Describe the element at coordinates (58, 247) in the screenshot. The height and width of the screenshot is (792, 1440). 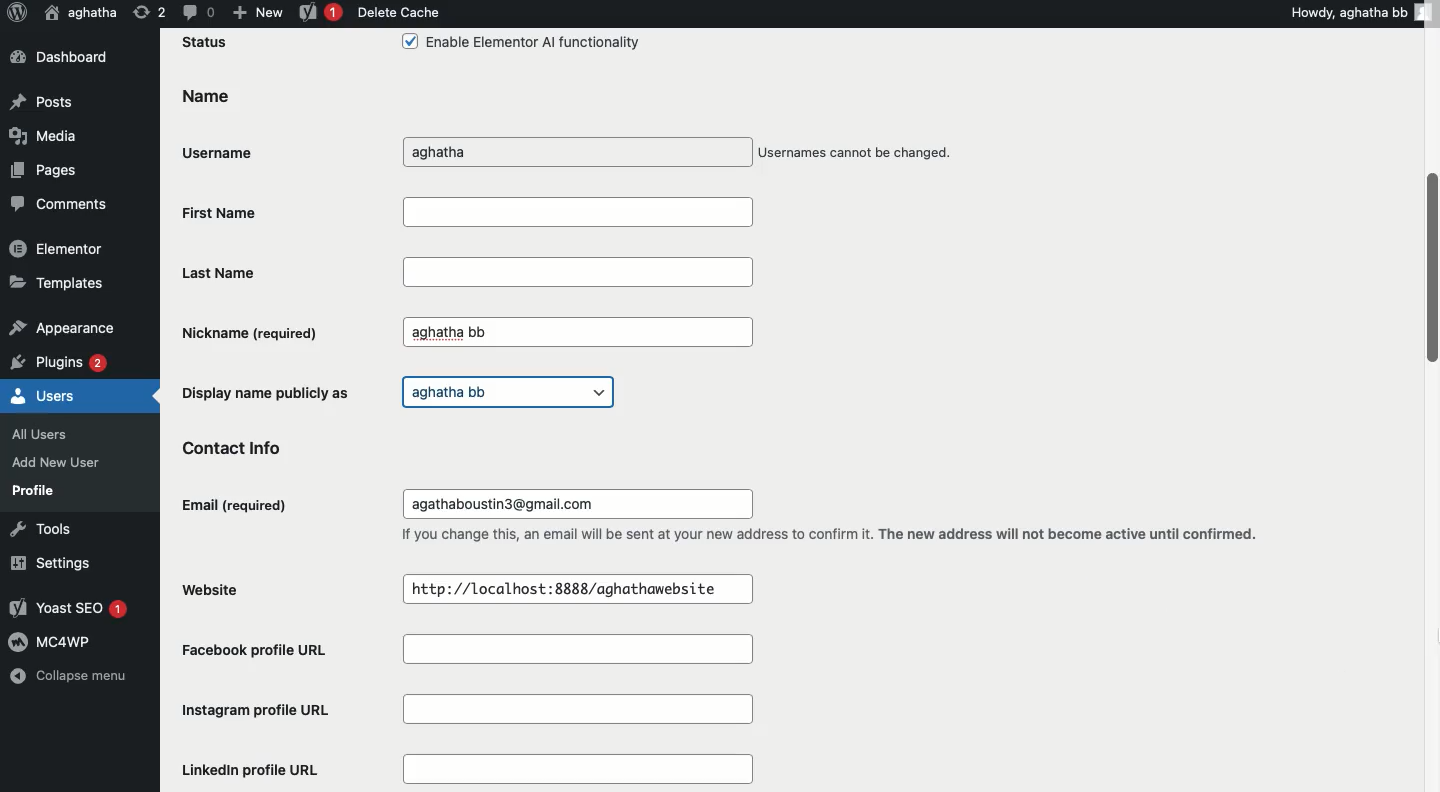
I see `Elementor` at that location.